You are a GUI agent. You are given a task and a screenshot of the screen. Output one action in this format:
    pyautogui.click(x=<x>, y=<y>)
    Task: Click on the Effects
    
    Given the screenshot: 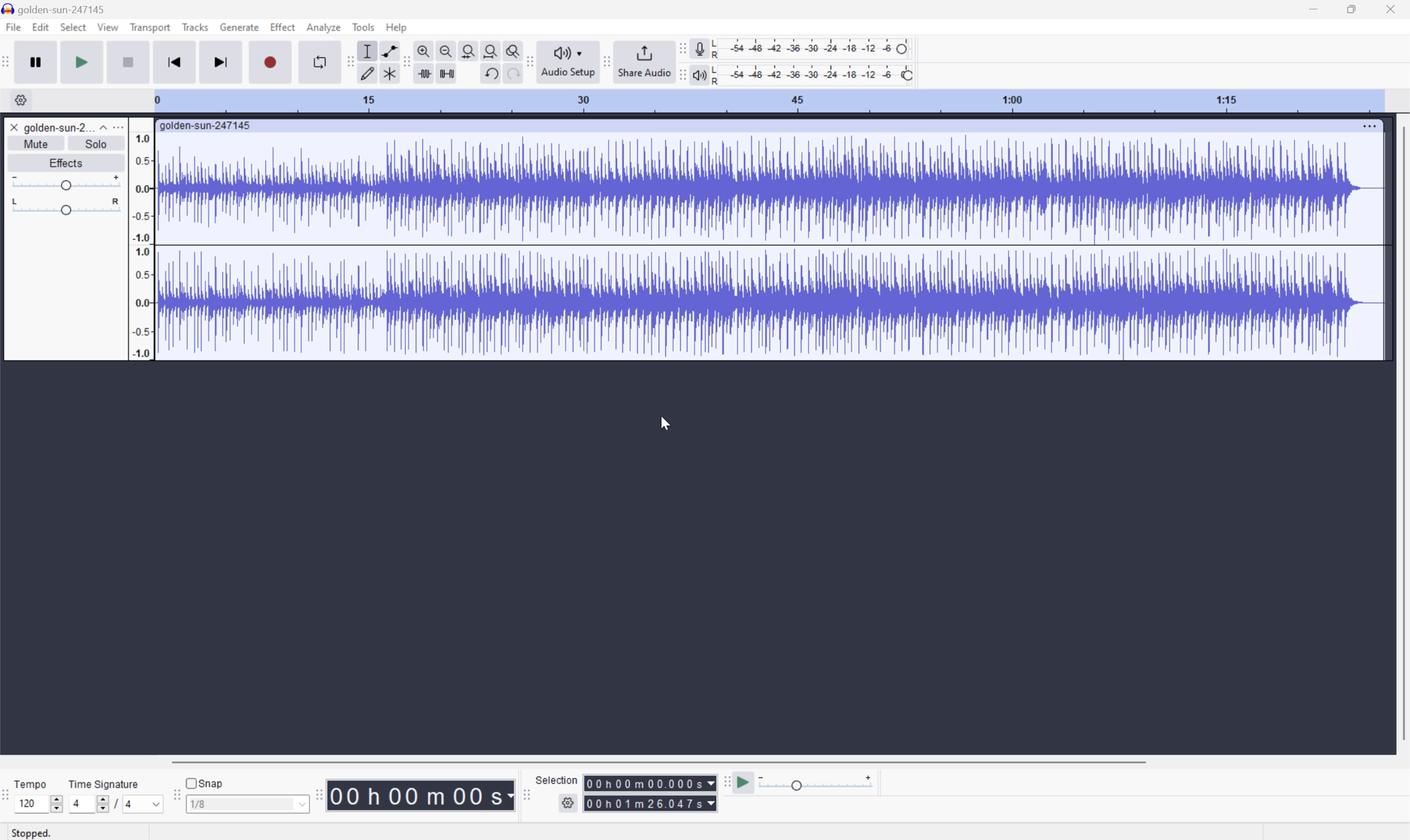 What is the action you would take?
    pyautogui.click(x=67, y=163)
    